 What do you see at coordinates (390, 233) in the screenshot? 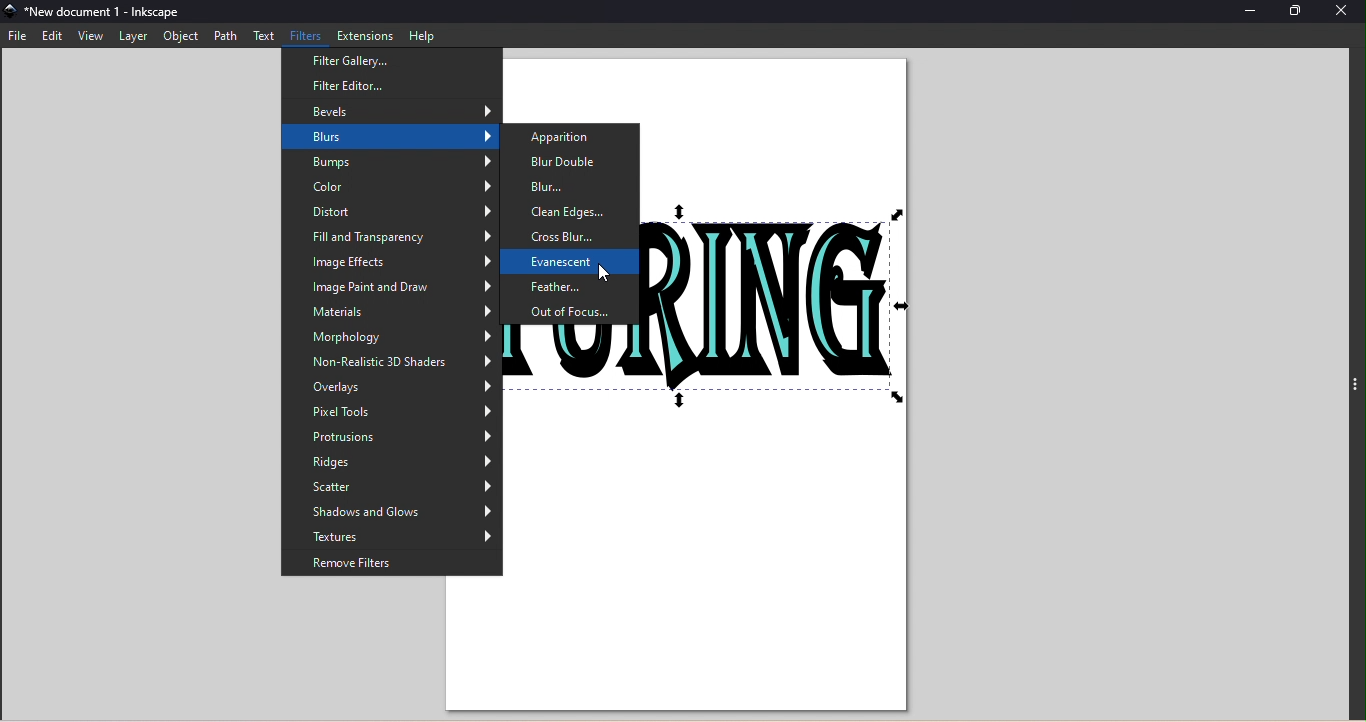
I see `Fill and Transparancy` at bounding box center [390, 233].